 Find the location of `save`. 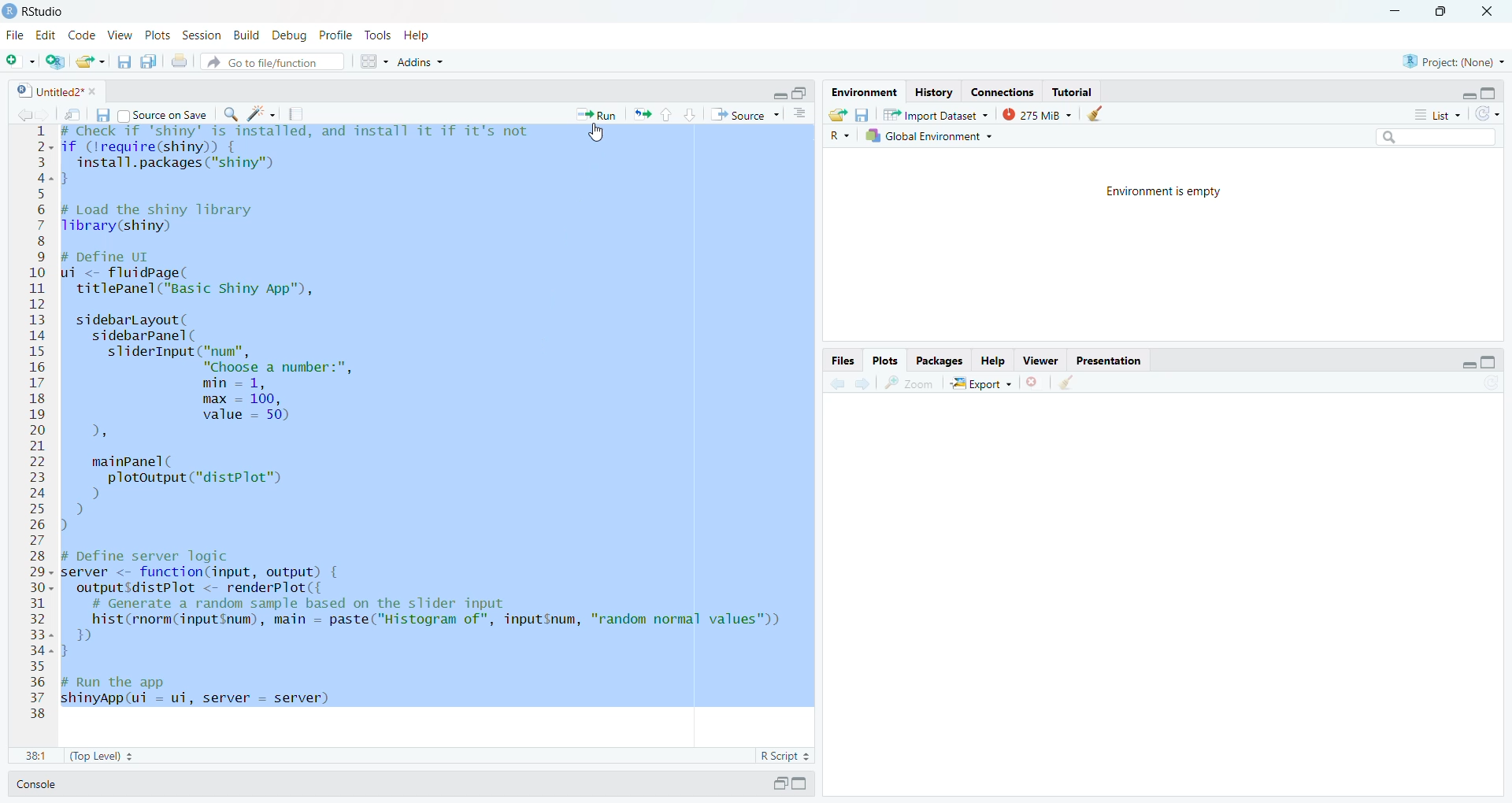

save is located at coordinates (862, 115).